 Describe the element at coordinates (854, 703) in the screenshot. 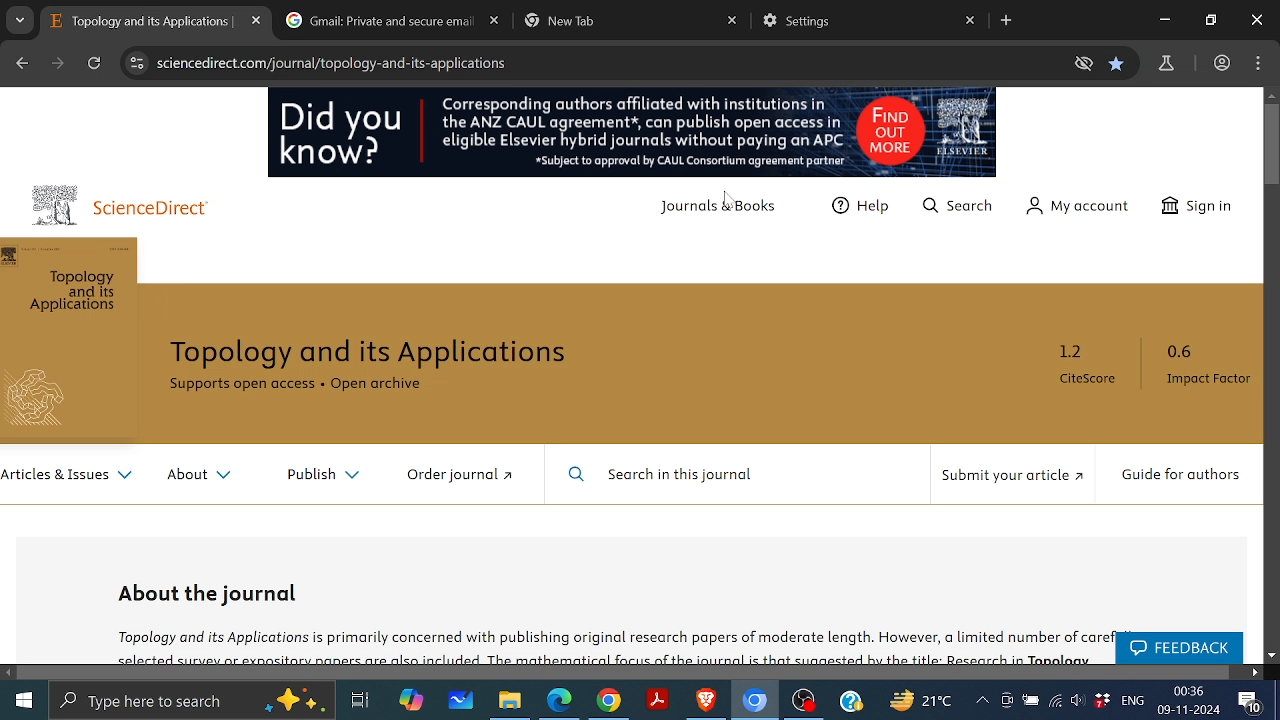

I see `help` at that location.